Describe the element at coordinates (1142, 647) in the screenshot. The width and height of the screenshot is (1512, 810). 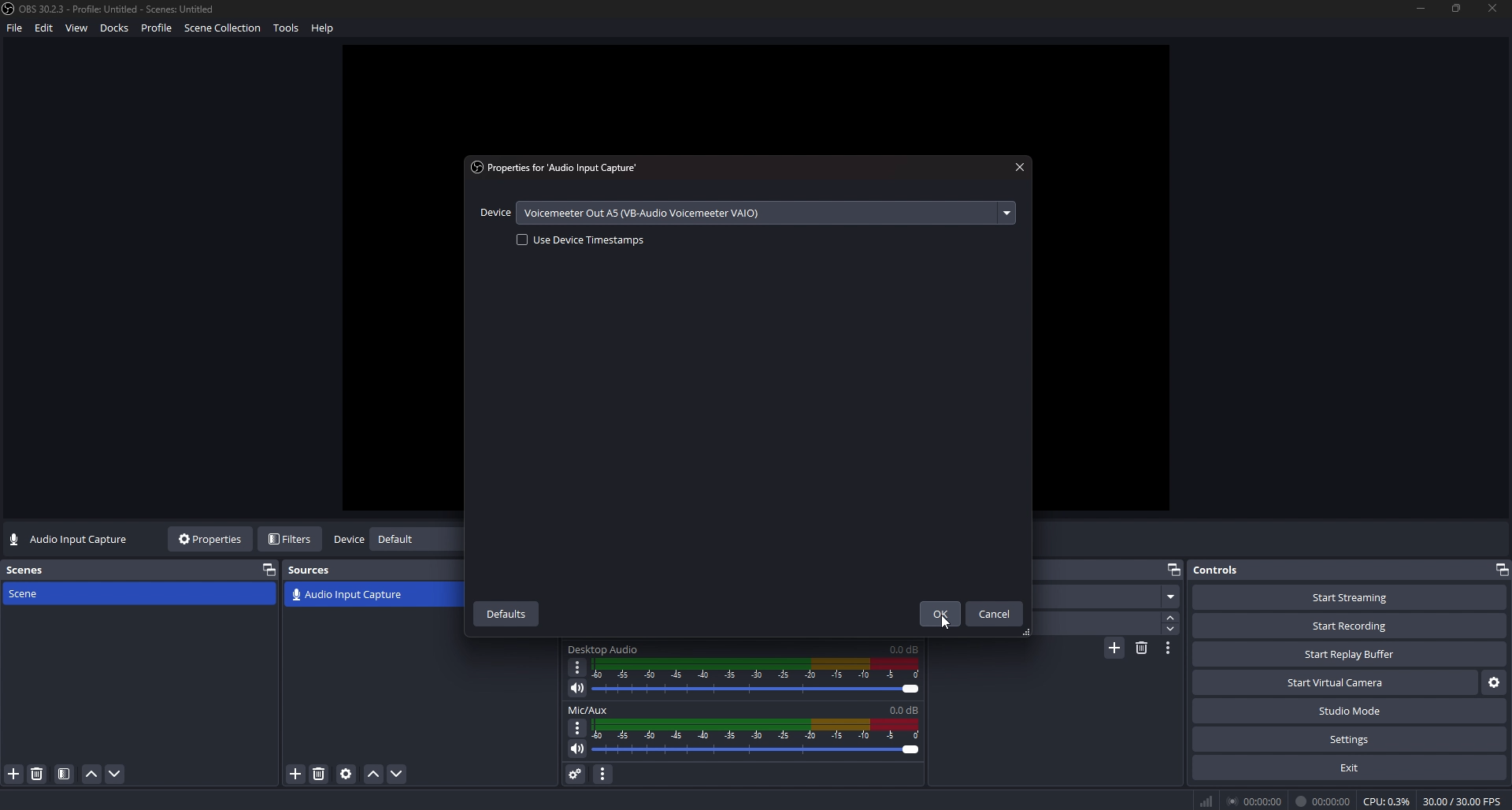
I see `remove transition` at that location.